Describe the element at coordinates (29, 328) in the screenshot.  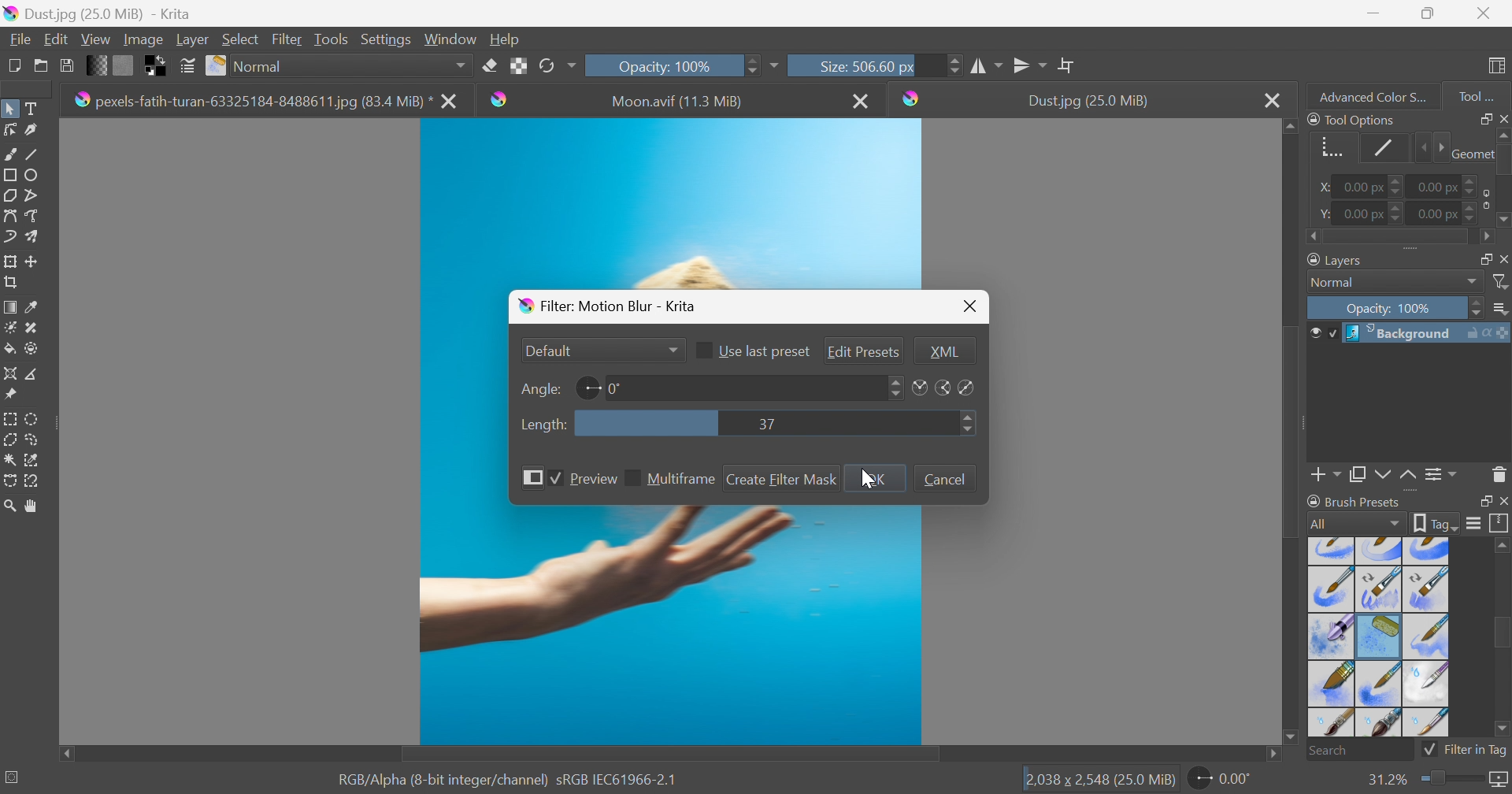
I see `Patch tool` at that location.